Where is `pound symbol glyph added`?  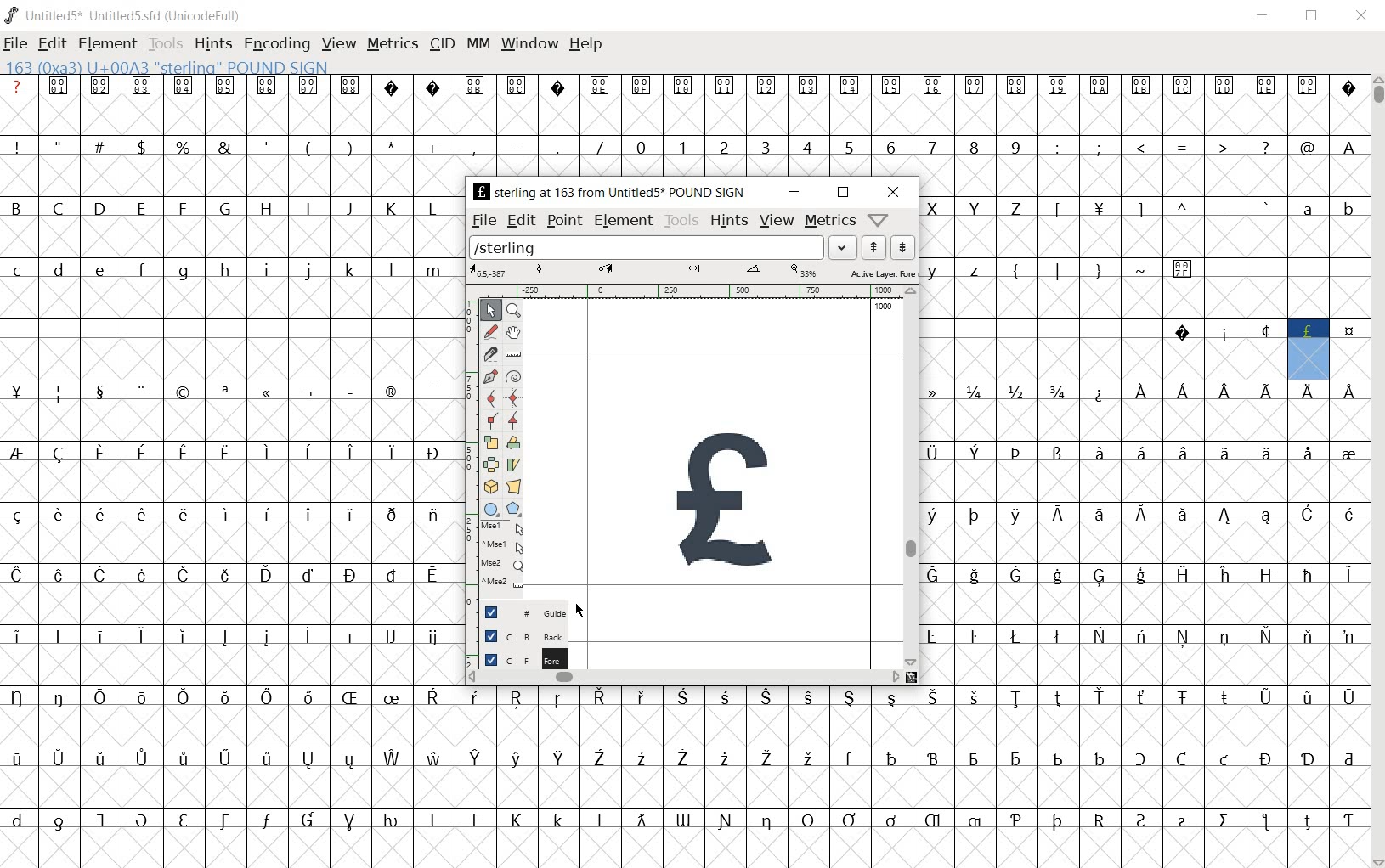 pound symbol glyph added is located at coordinates (732, 504).